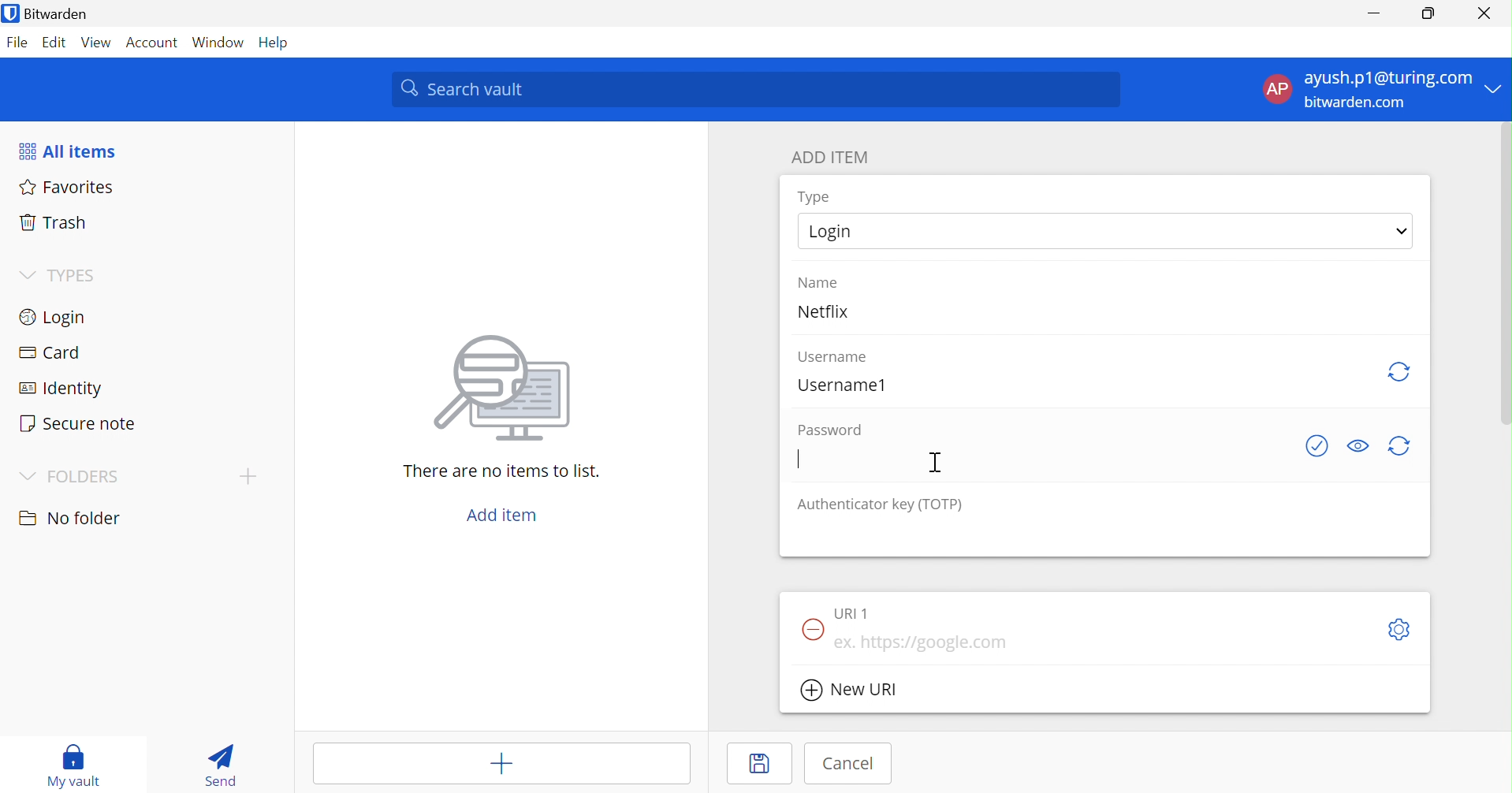 Image resolution: width=1512 pixels, height=793 pixels. Describe the element at coordinates (828, 429) in the screenshot. I see `Password` at that location.